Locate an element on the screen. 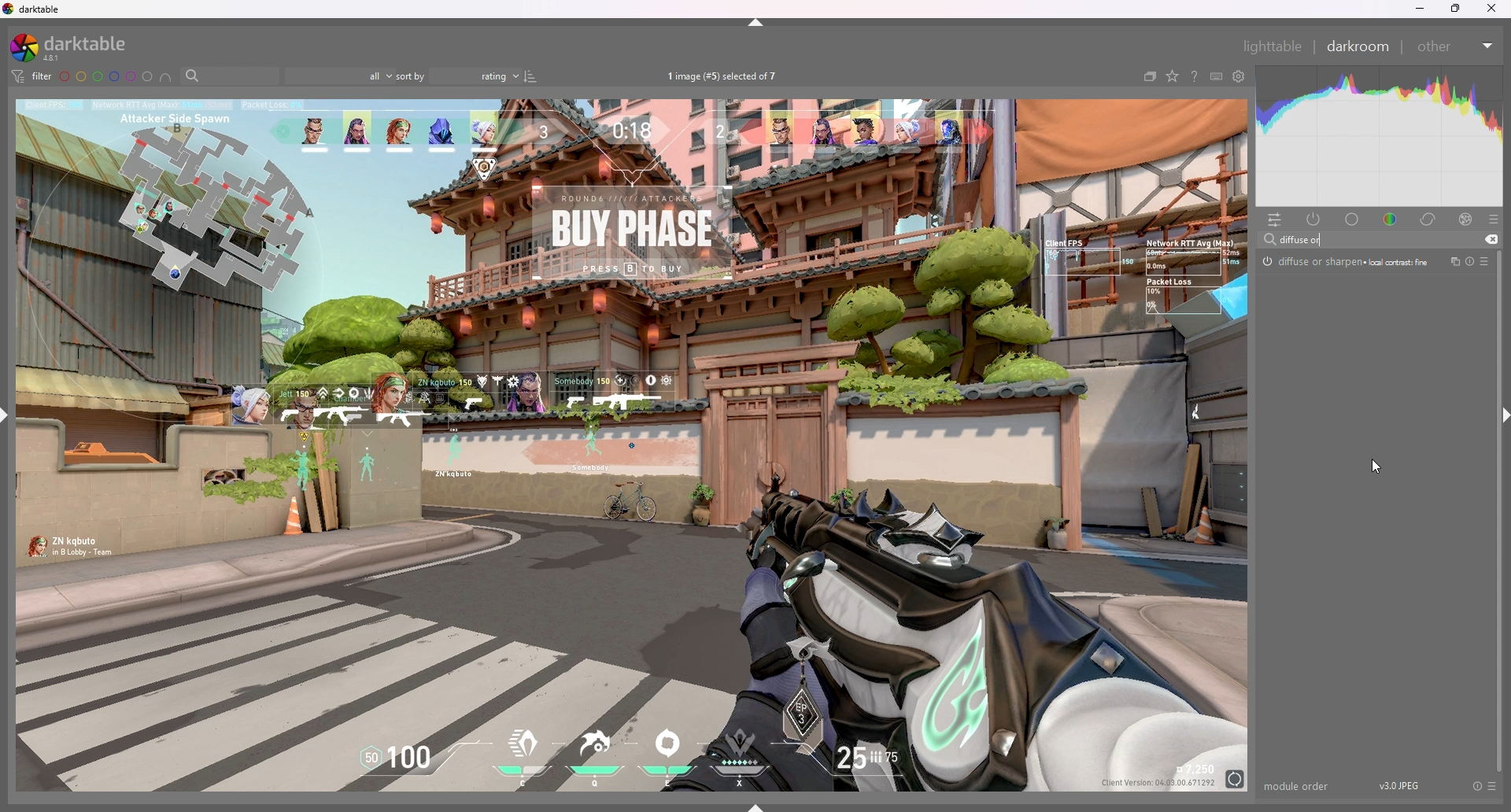  darktable is located at coordinates (35, 9).